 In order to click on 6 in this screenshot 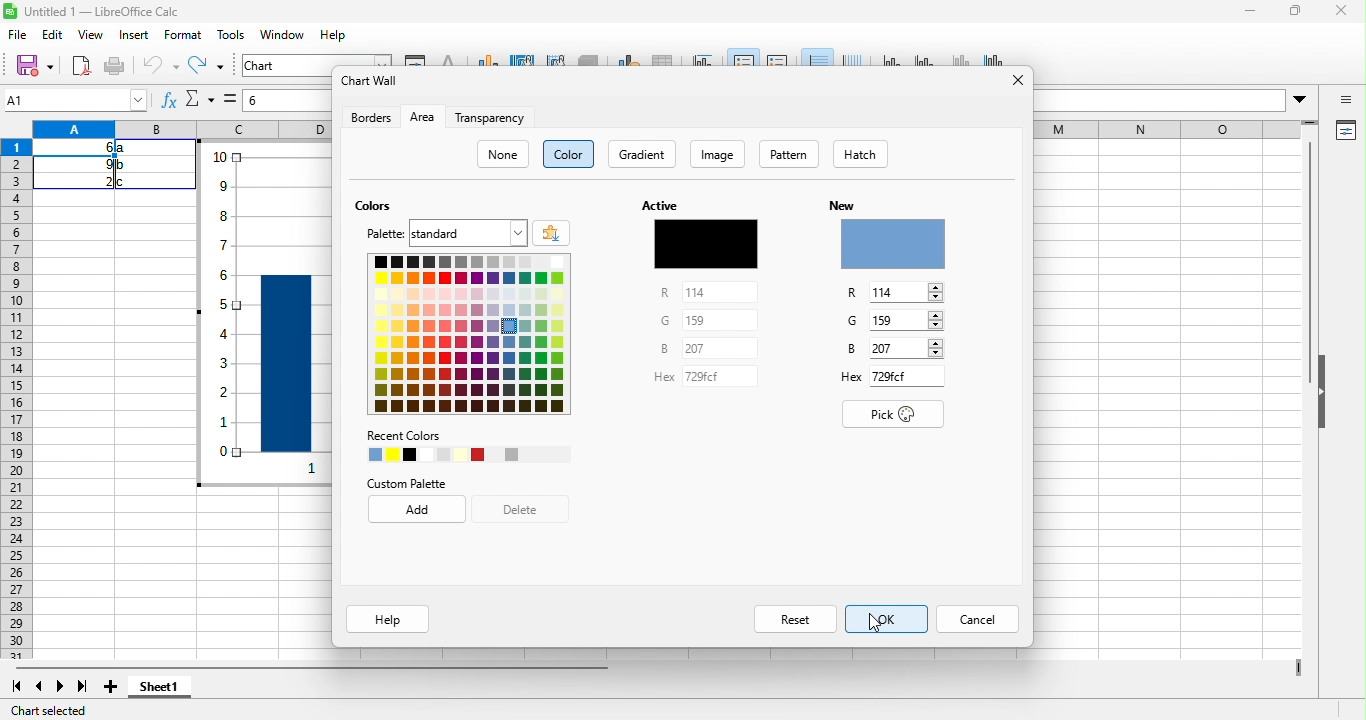, I will do `click(99, 147)`.